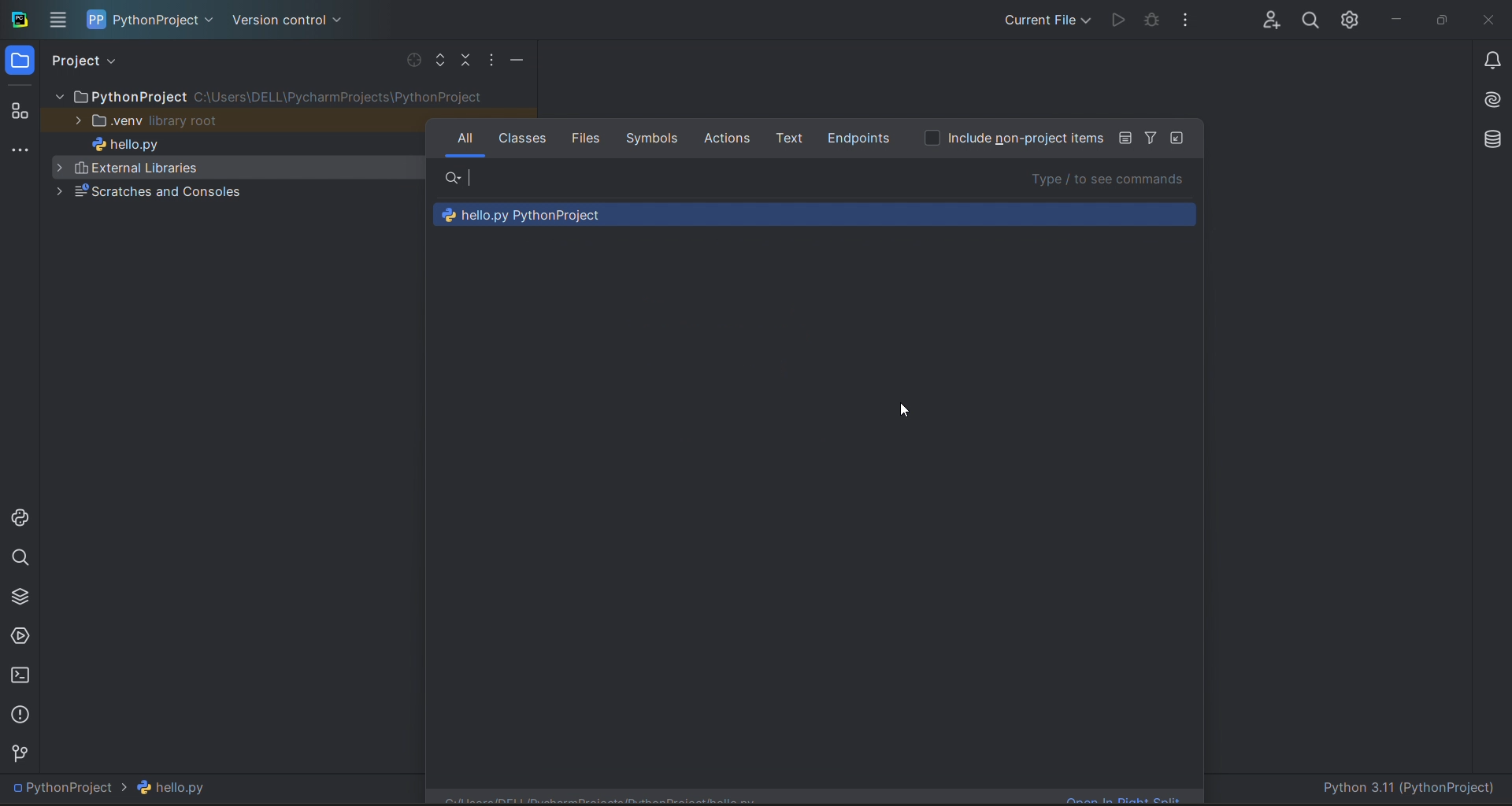 The image size is (1512, 806). Describe the element at coordinates (19, 597) in the screenshot. I see `python packages` at that location.